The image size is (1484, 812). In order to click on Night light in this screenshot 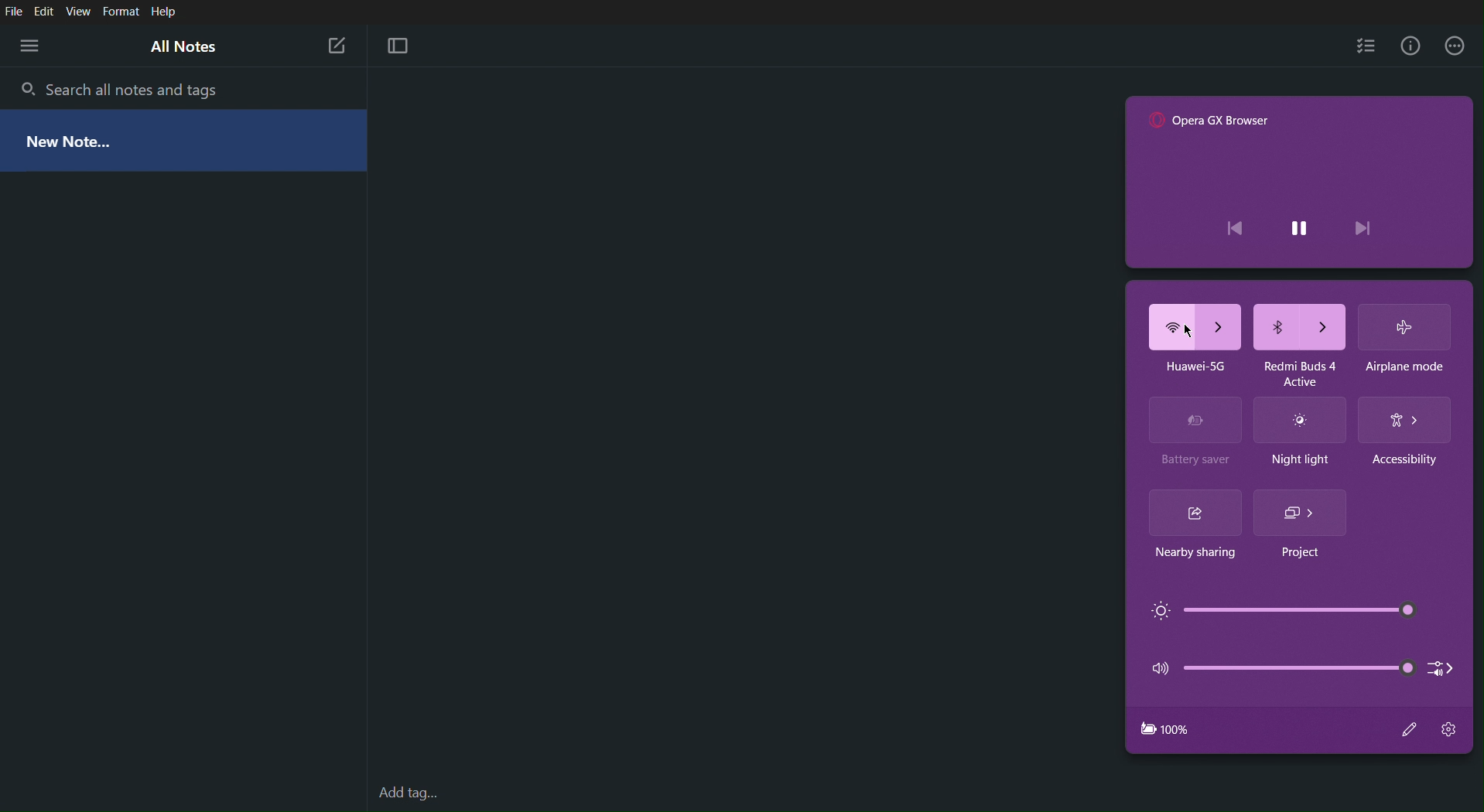, I will do `click(1299, 421)`.